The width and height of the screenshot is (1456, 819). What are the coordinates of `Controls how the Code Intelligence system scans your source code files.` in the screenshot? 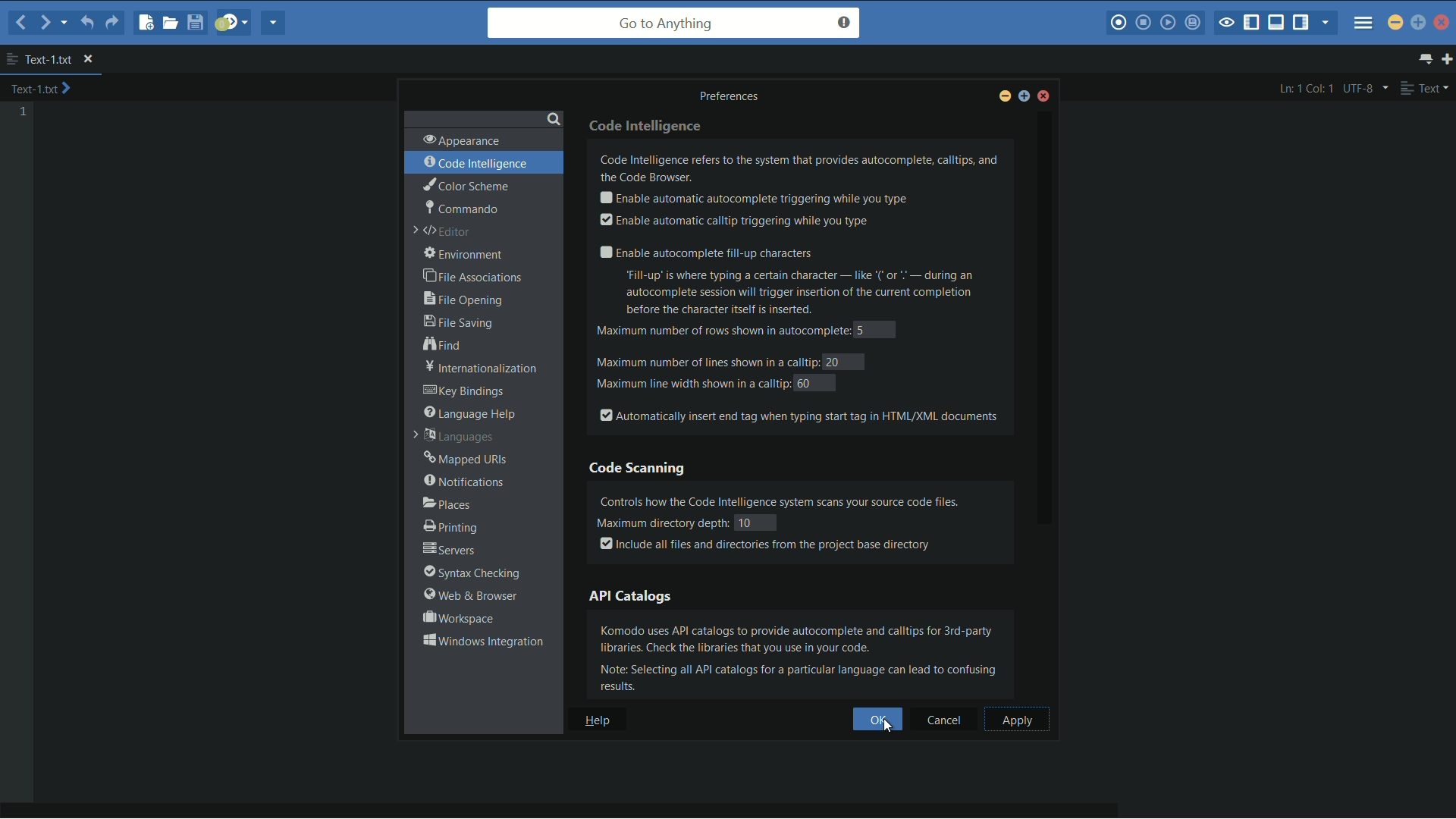 It's located at (799, 498).